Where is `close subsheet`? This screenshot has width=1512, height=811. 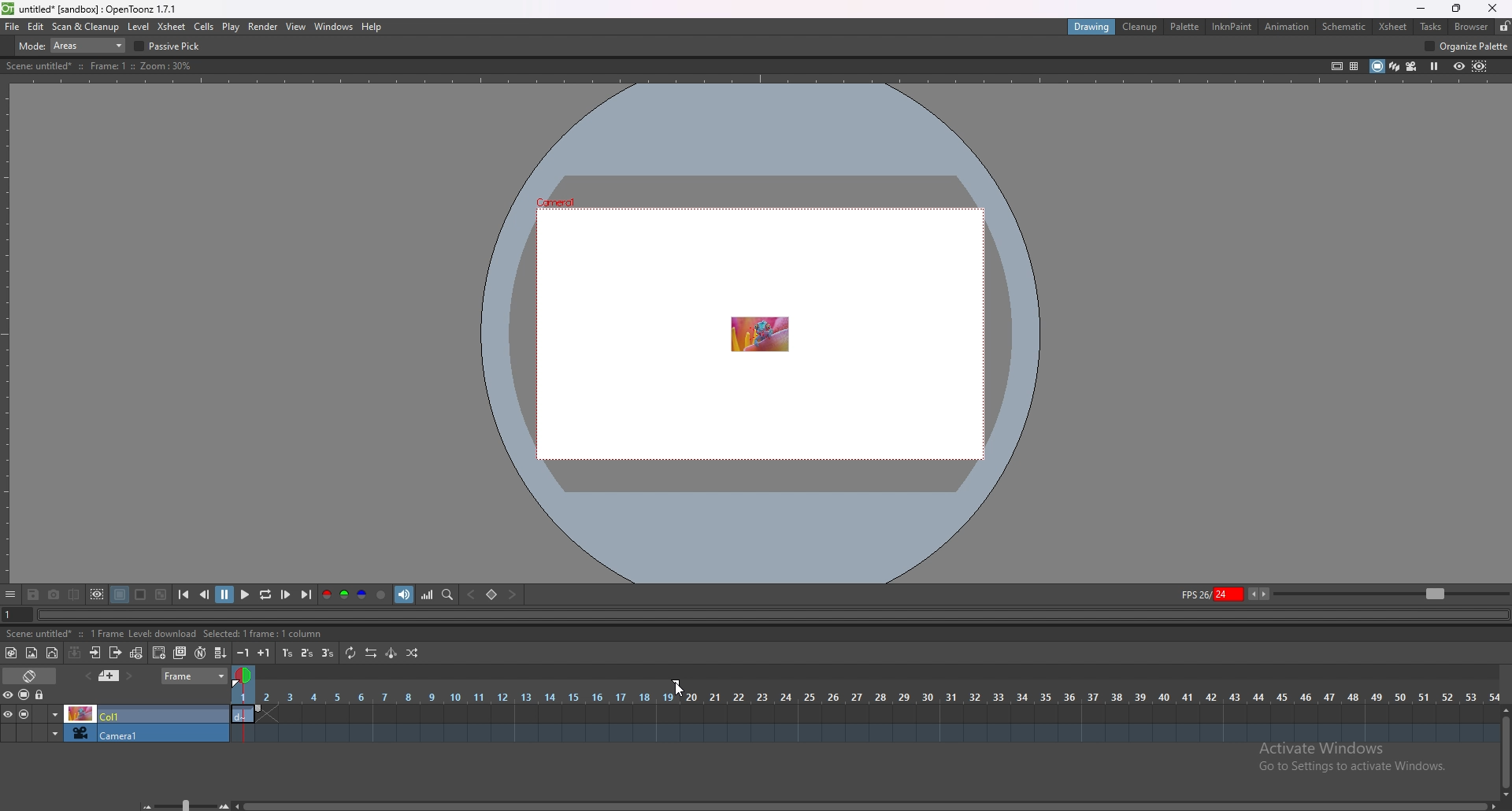 close subsheet is located at coordinates (116, 653).